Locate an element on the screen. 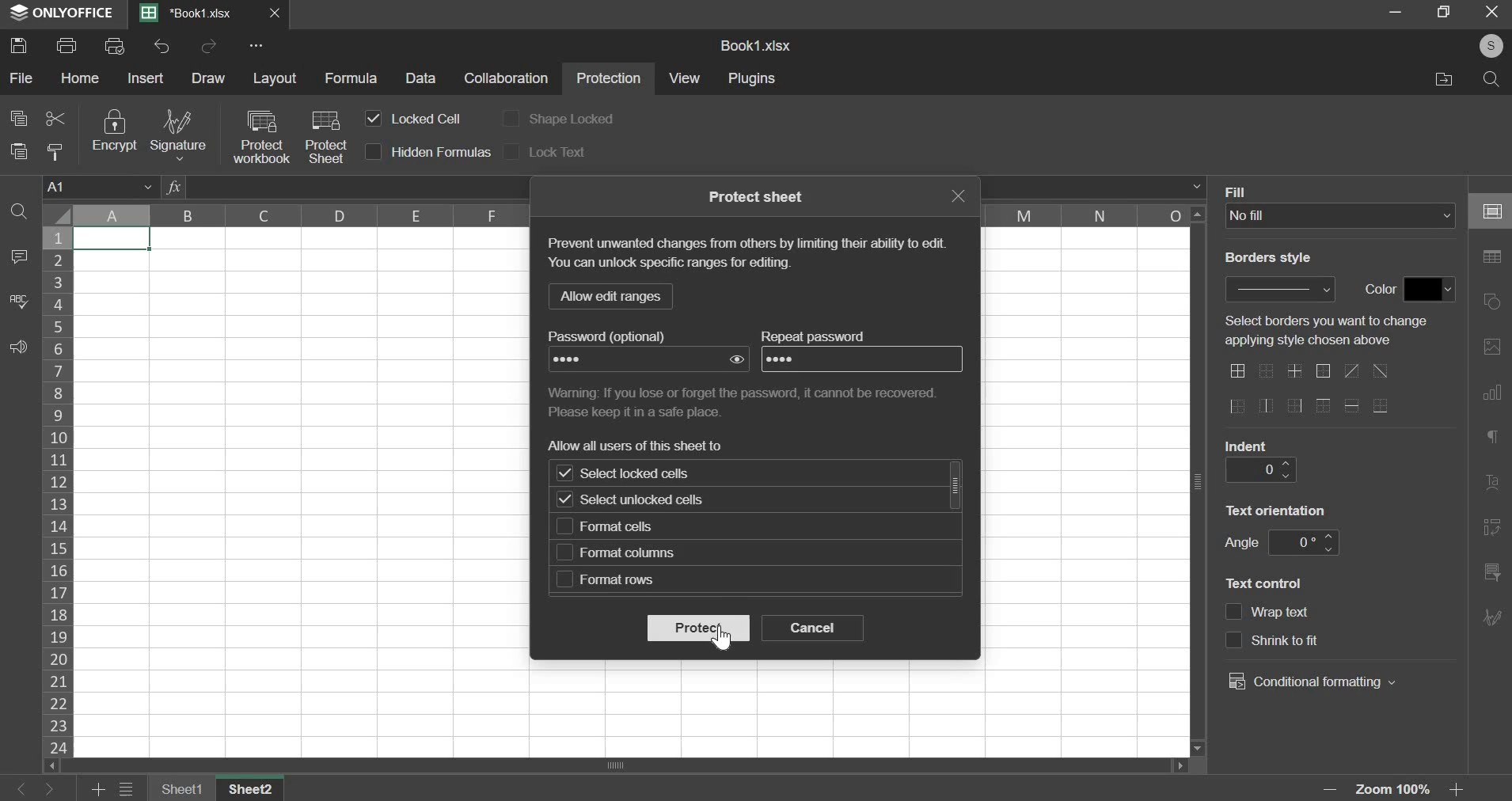 The image size is (1512, 801). scrollbar is located at coordinates (956, 484).